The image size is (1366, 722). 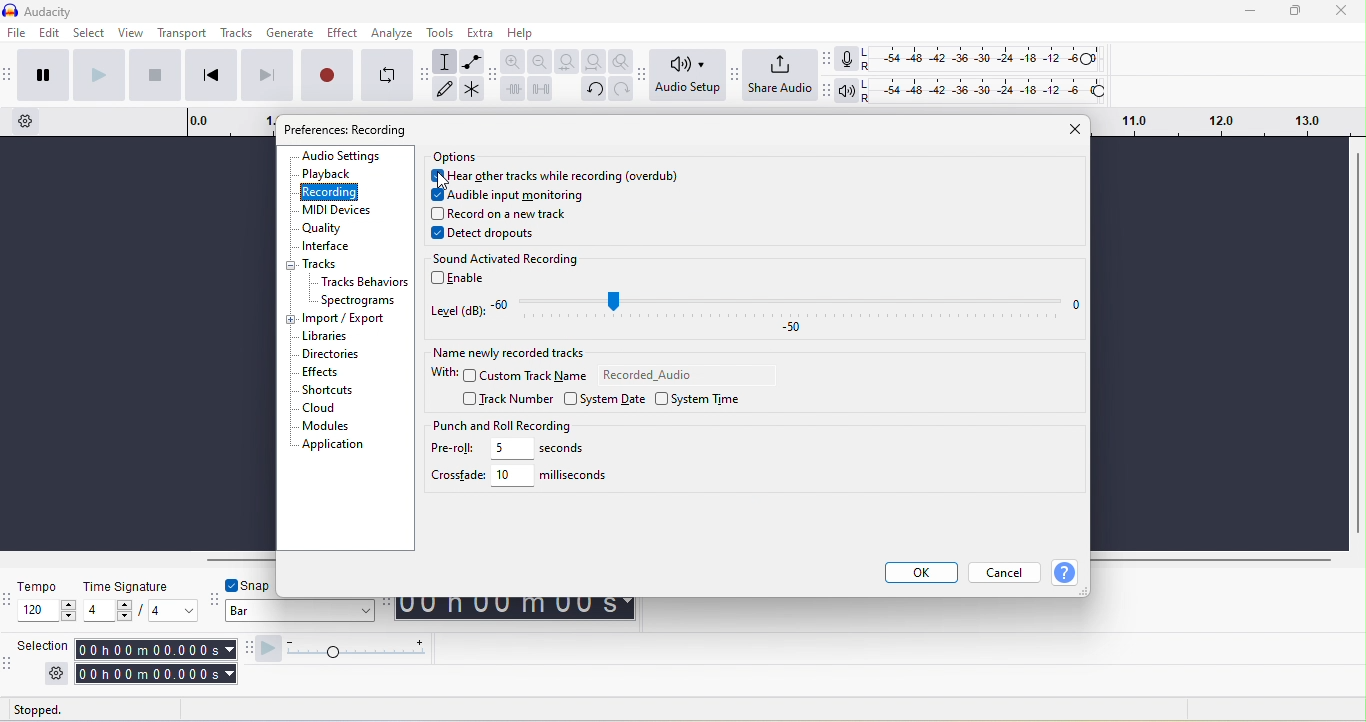 I want to click on fit project to width, so click(x=595, y=61).